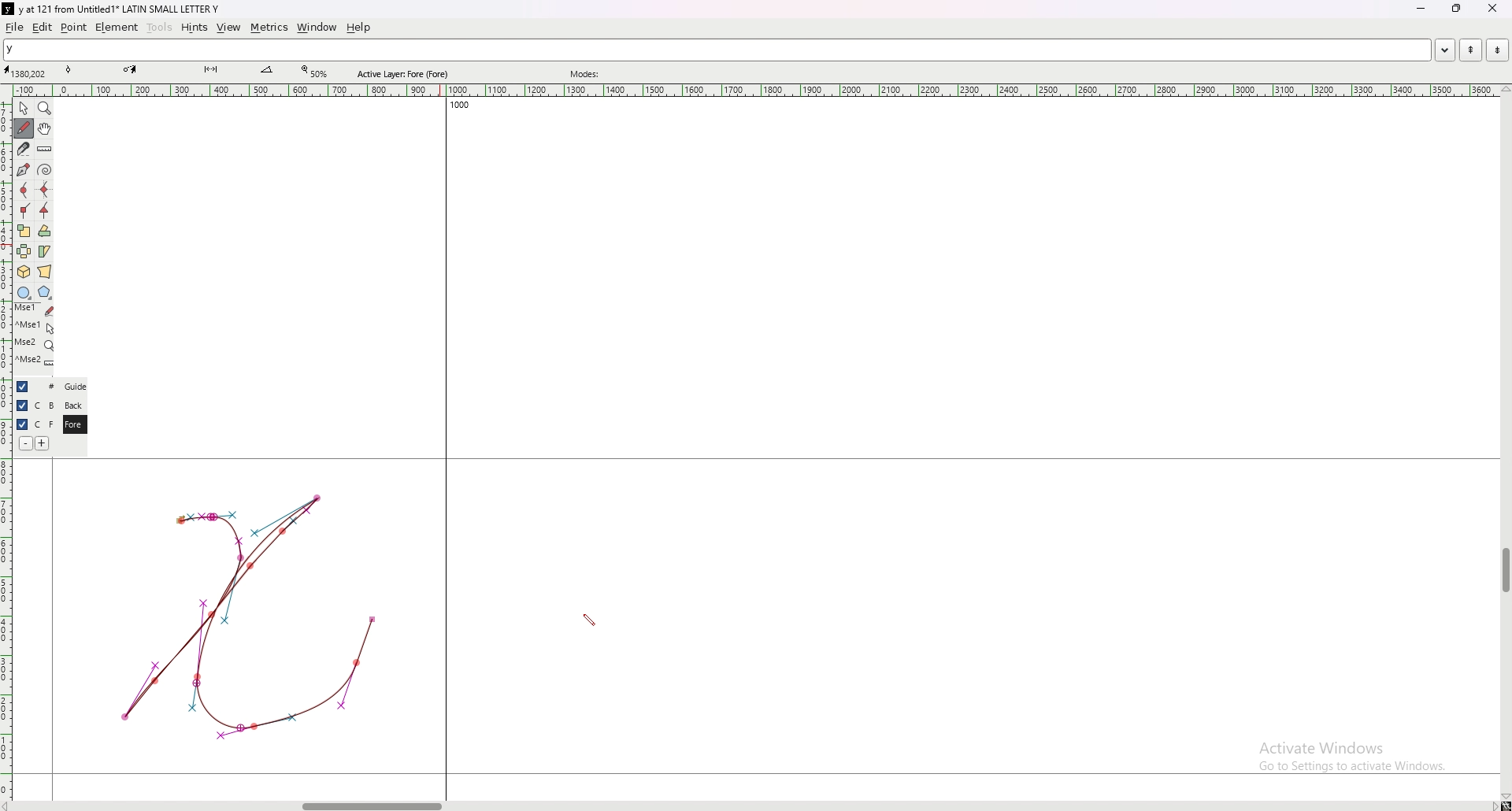  What do you see at coordinates (34, 344) in the screenshot?
I see `mse 2` at bounding box center [34, 344].